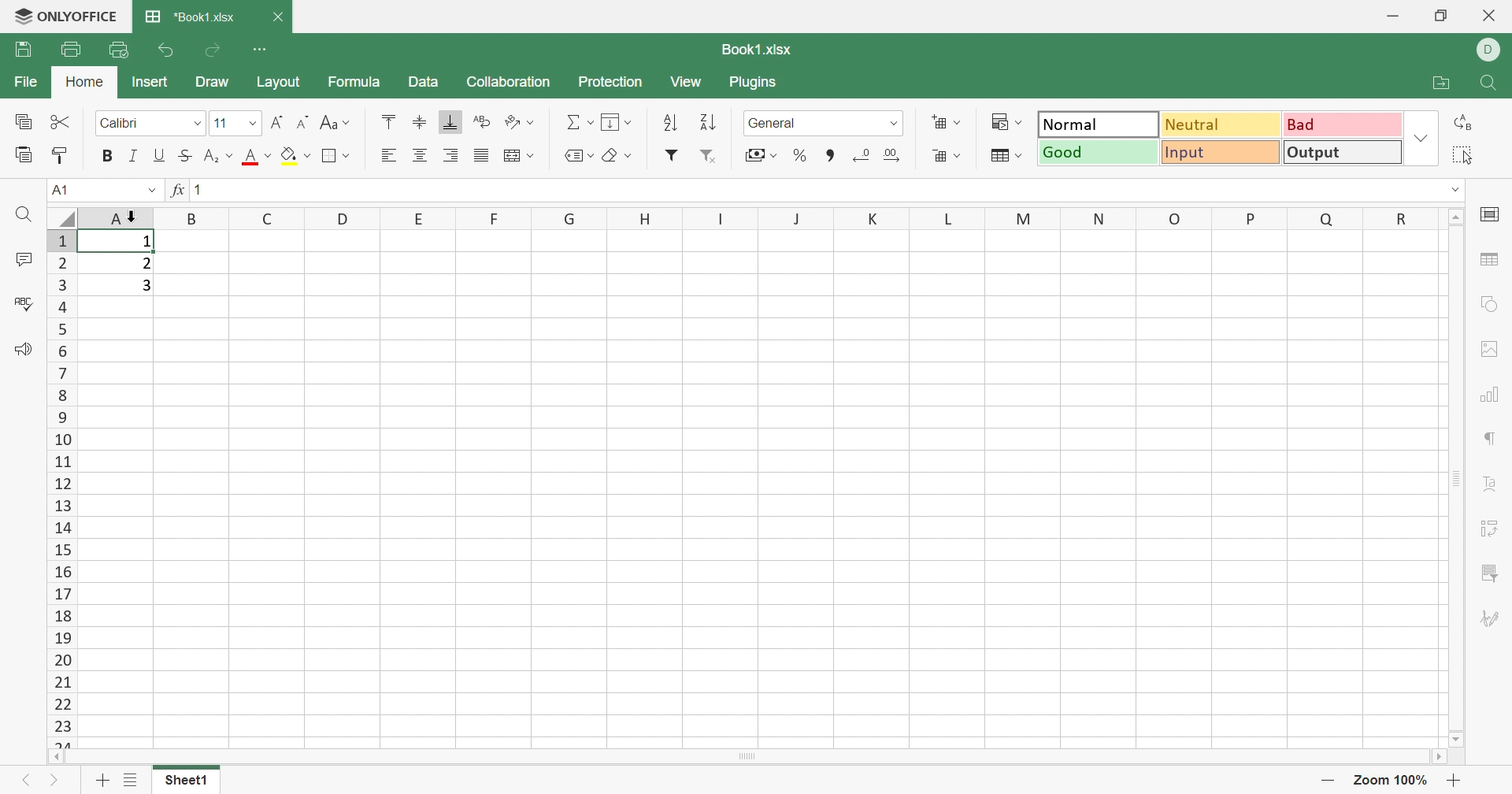 This screenshot has height=794, width=1512. Describe the element at coordinates (579, 121) in the screenshot. I see `Summation` at that location.